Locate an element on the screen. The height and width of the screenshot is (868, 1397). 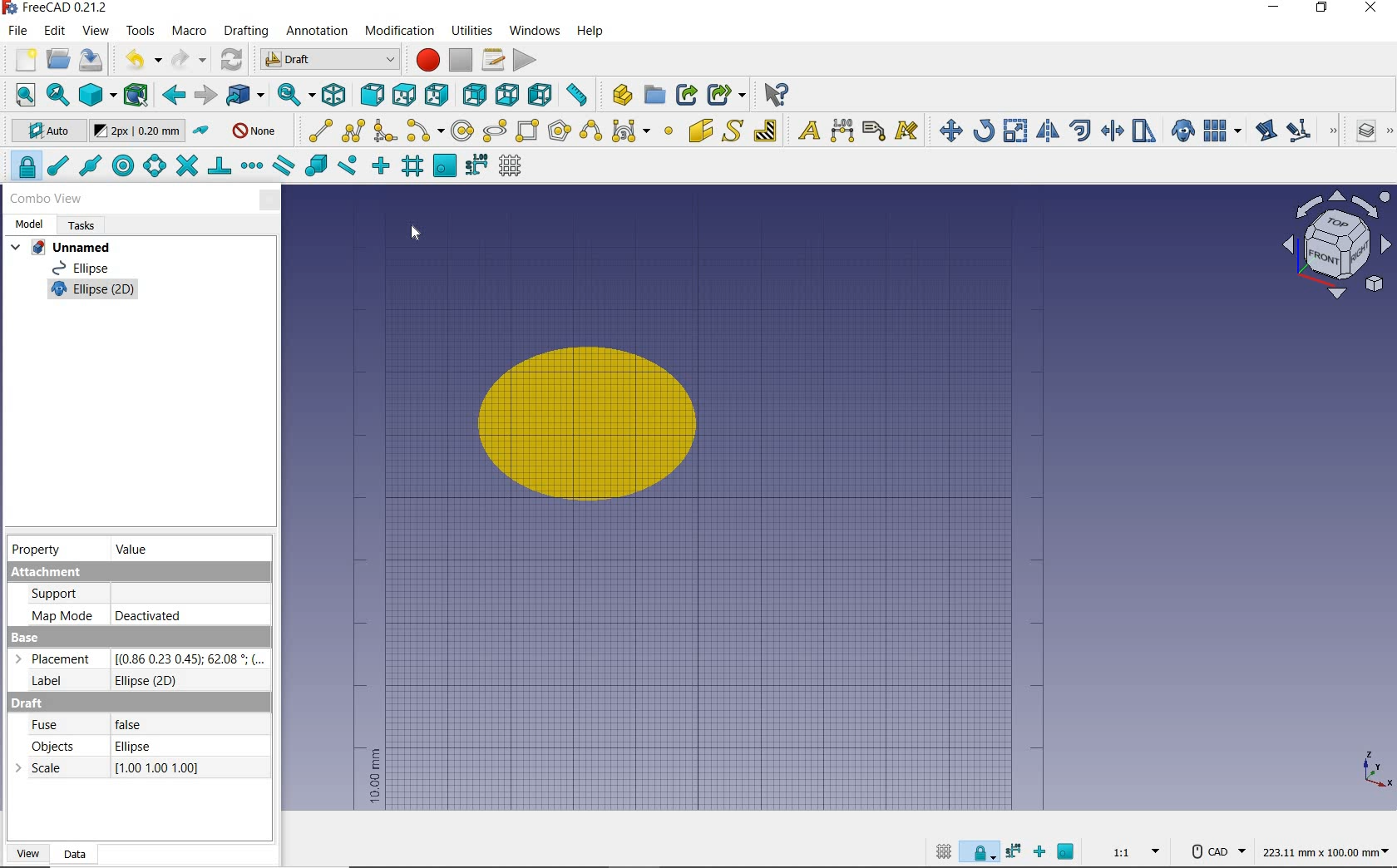
trimex is located at coordinates (1112, 131).